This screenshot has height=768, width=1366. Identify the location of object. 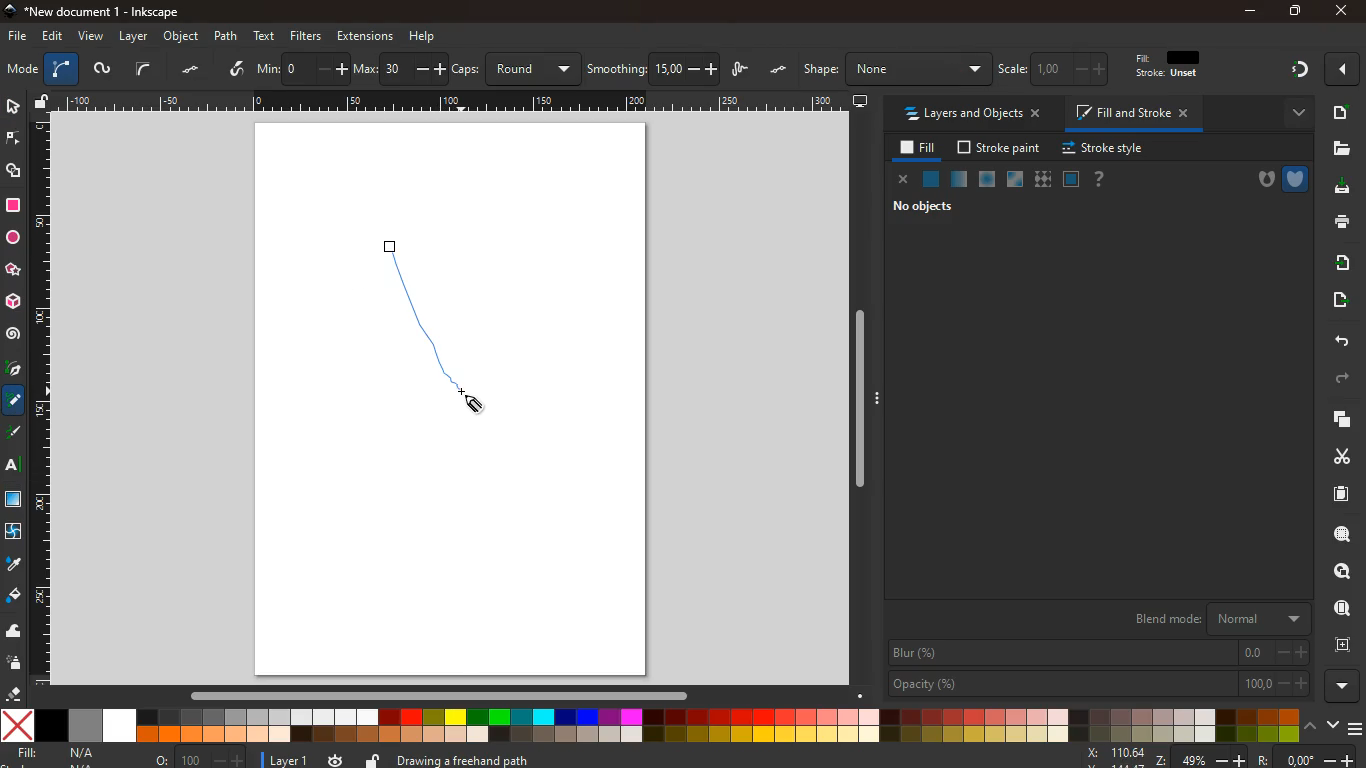
(183, 36).